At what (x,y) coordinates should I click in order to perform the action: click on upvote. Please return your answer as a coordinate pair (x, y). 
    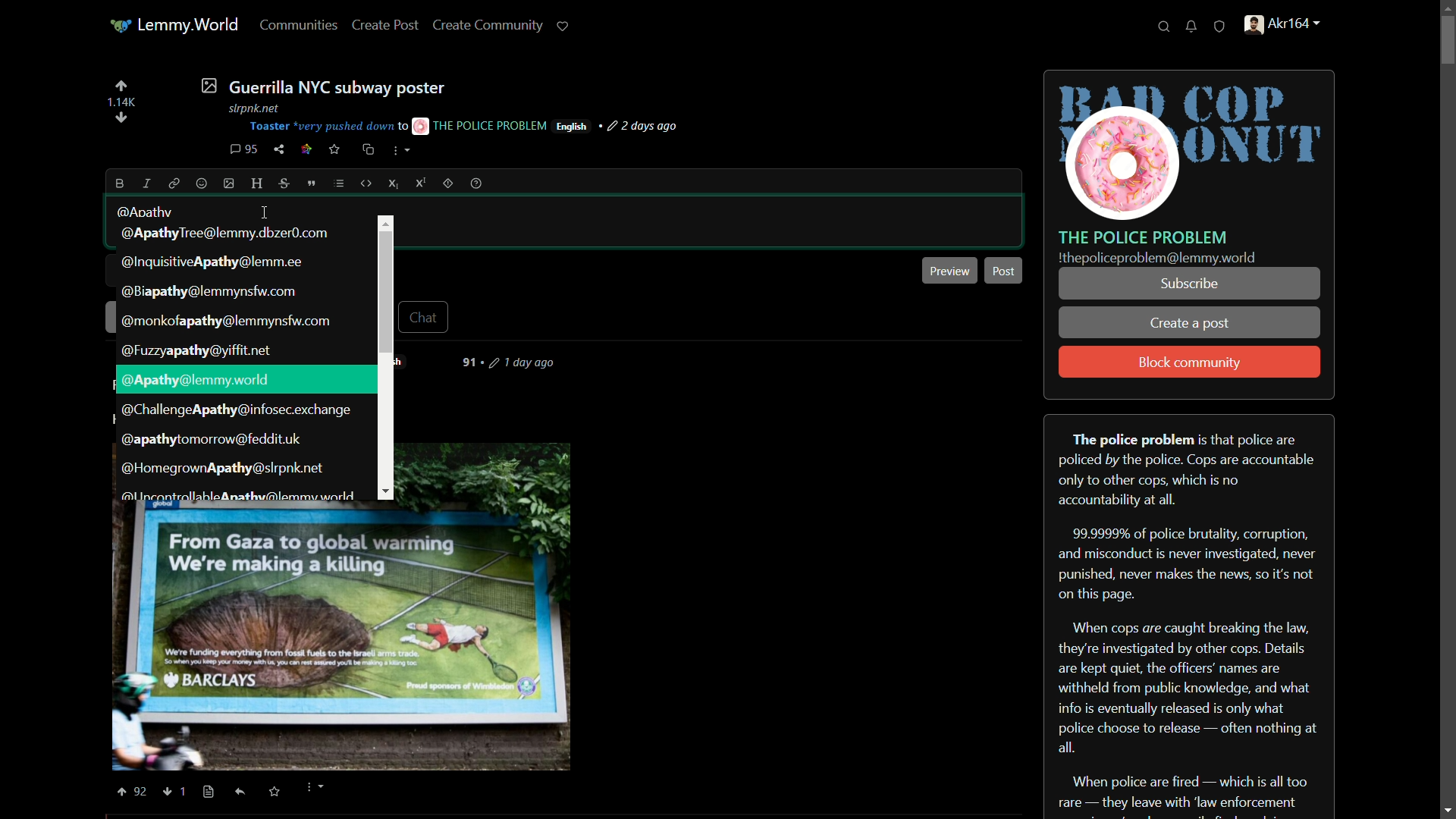
    Looking at the image, I should click on (121, 86).